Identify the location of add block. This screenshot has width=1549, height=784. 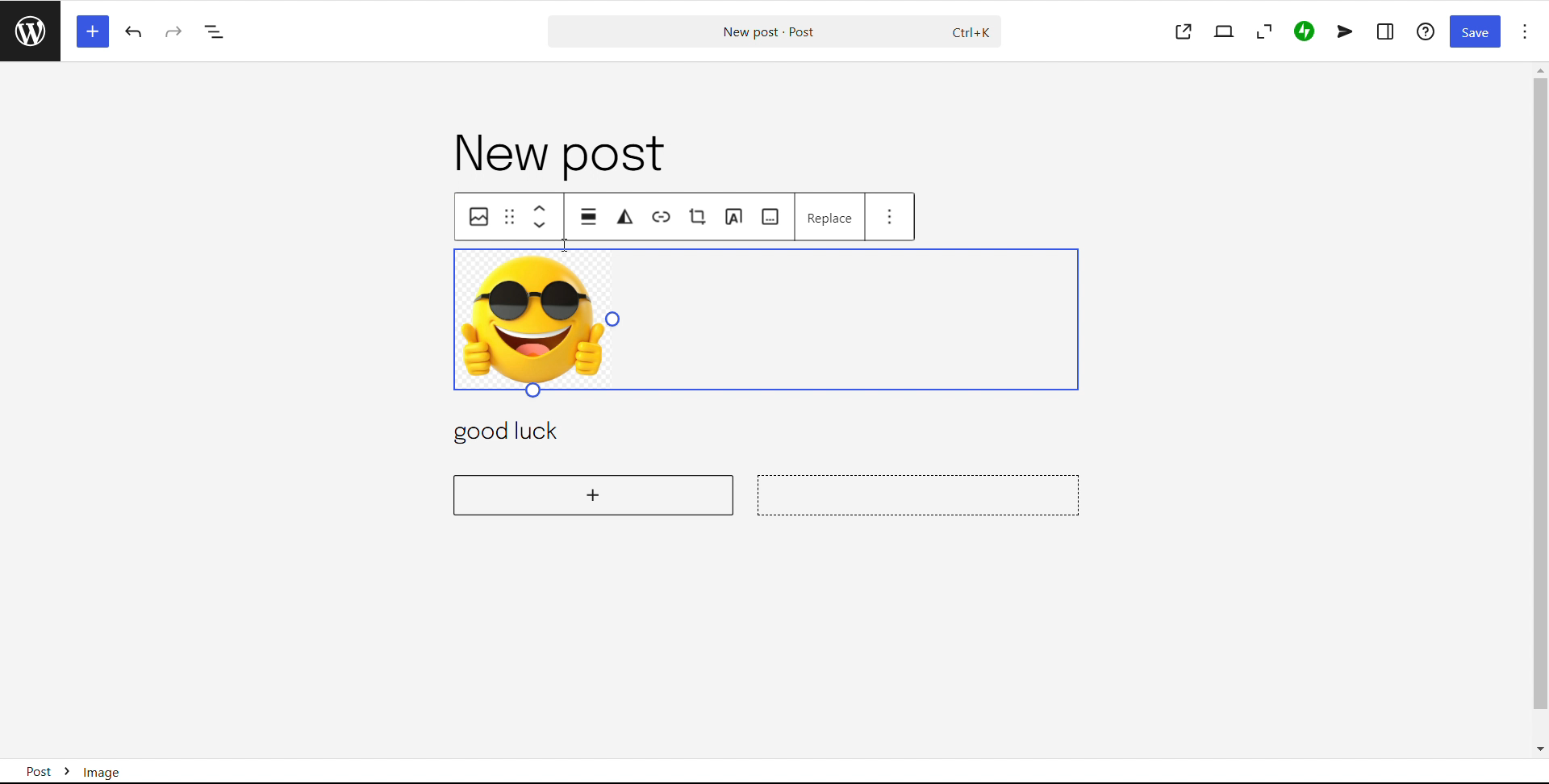
(595, 494).